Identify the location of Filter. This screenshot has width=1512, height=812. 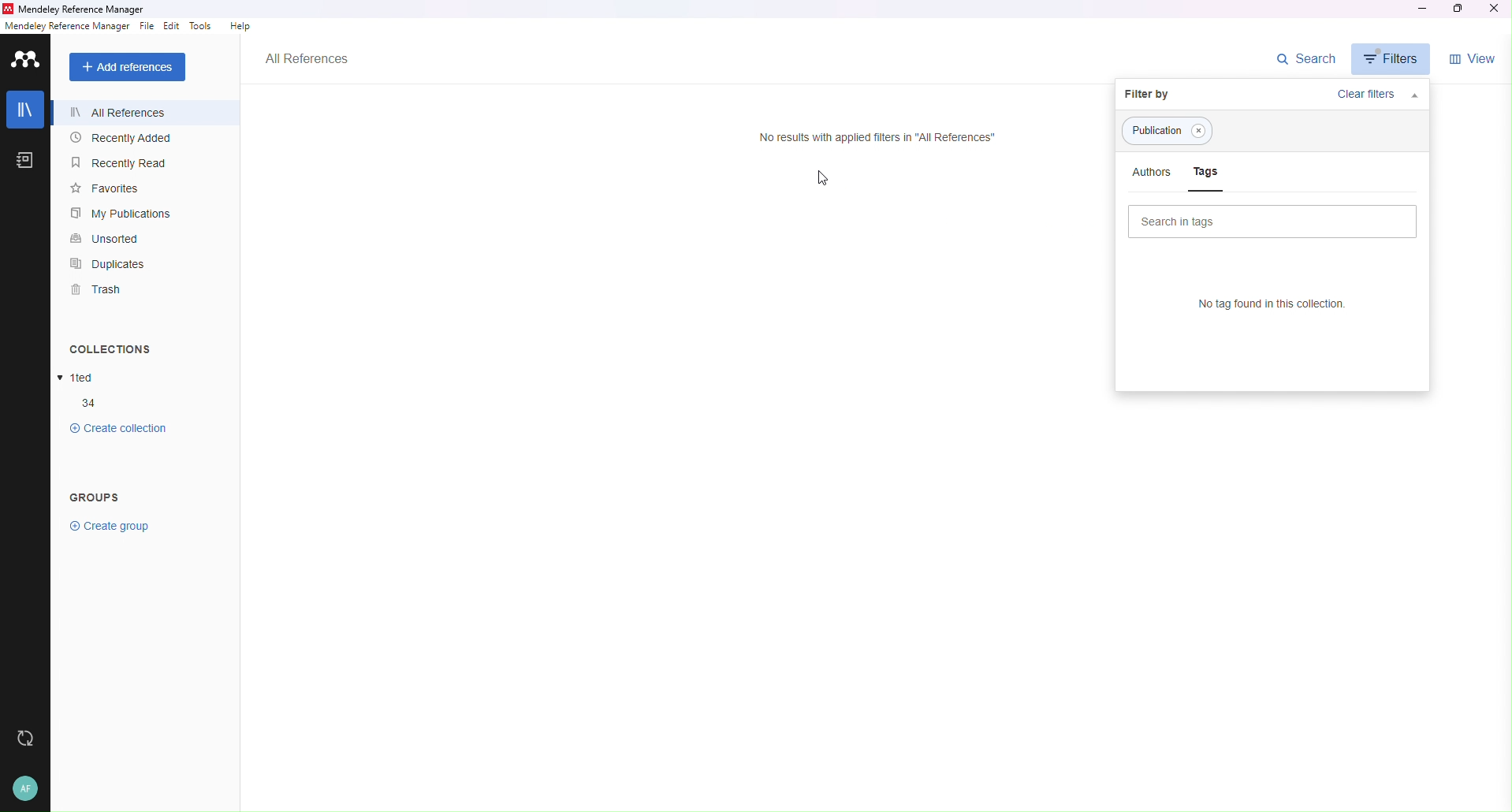
(1393, 58).